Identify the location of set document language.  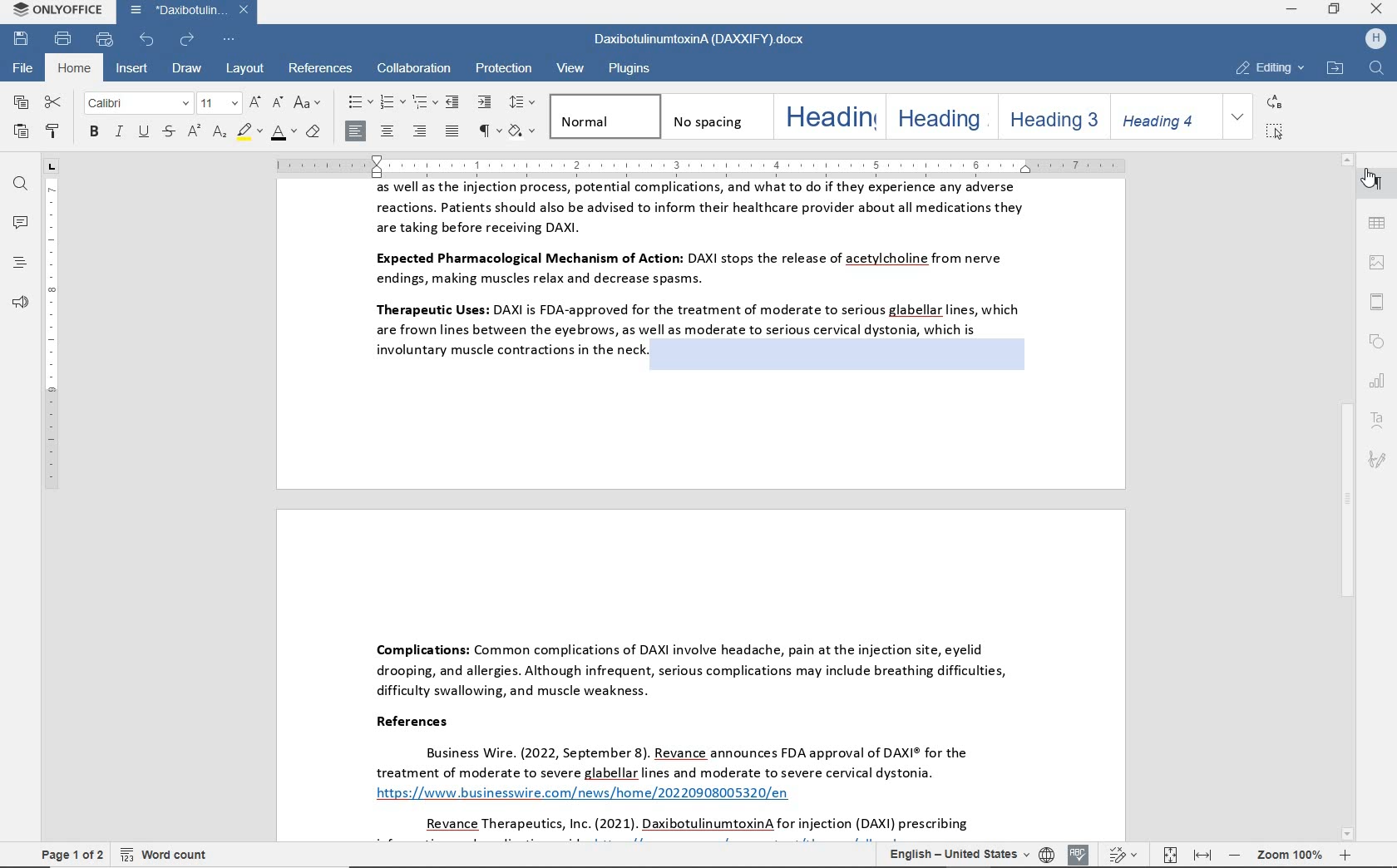
(1048, 854).